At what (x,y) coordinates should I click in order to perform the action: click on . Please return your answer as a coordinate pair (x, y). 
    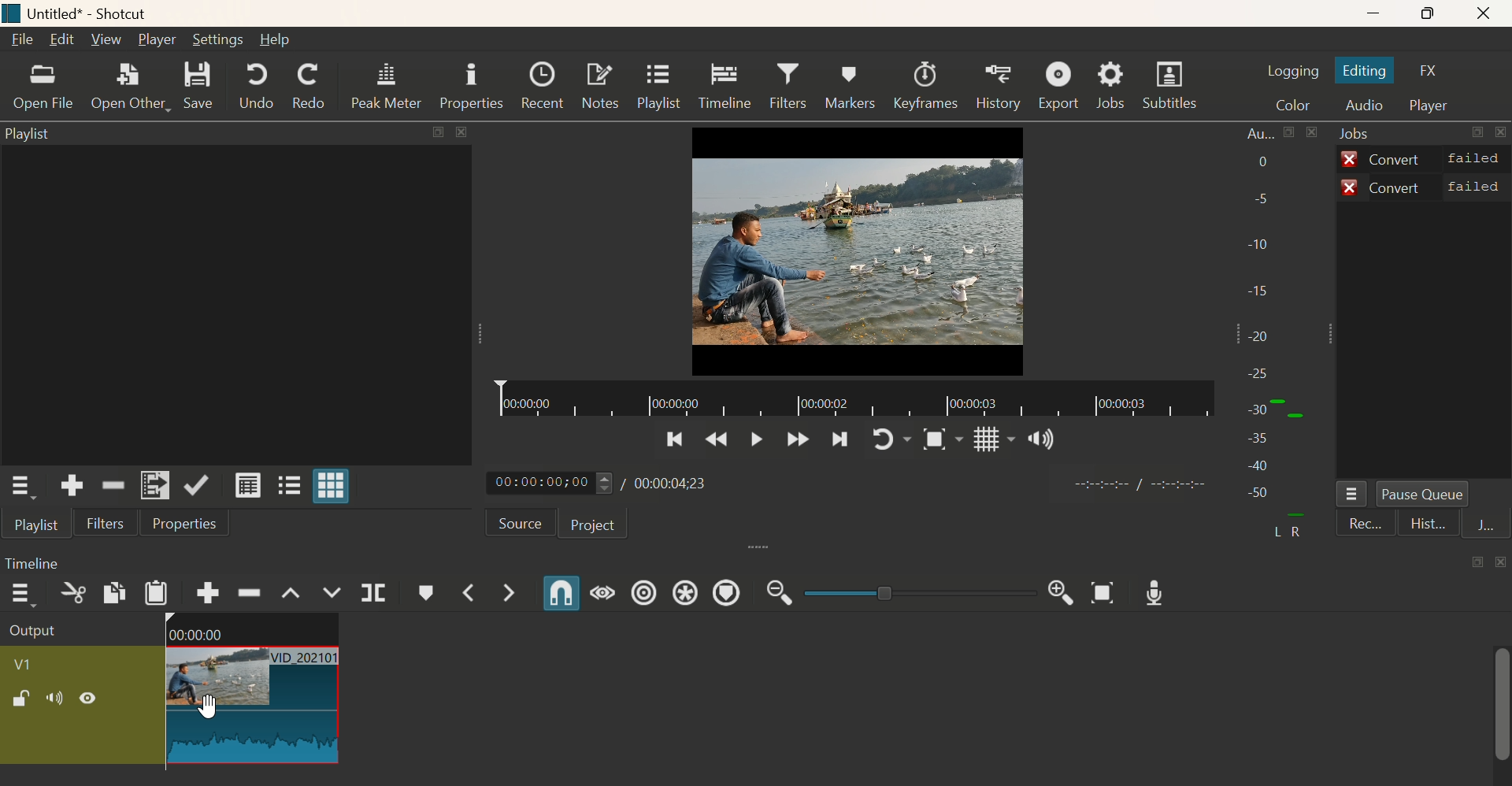
    Looking at the image, I should click on (1102, 595).